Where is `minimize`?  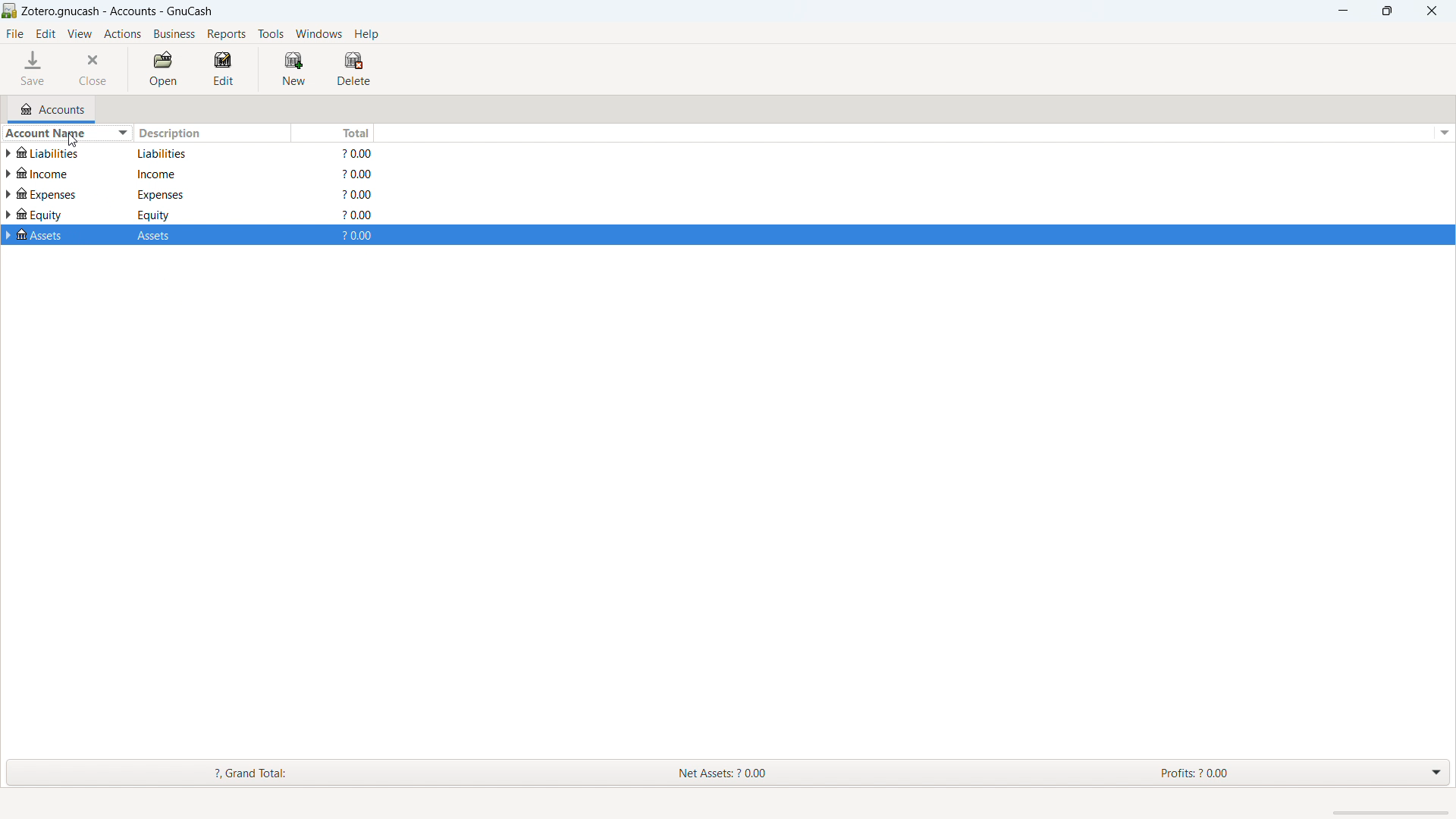 minimize is located at coordinates (1341, 11).